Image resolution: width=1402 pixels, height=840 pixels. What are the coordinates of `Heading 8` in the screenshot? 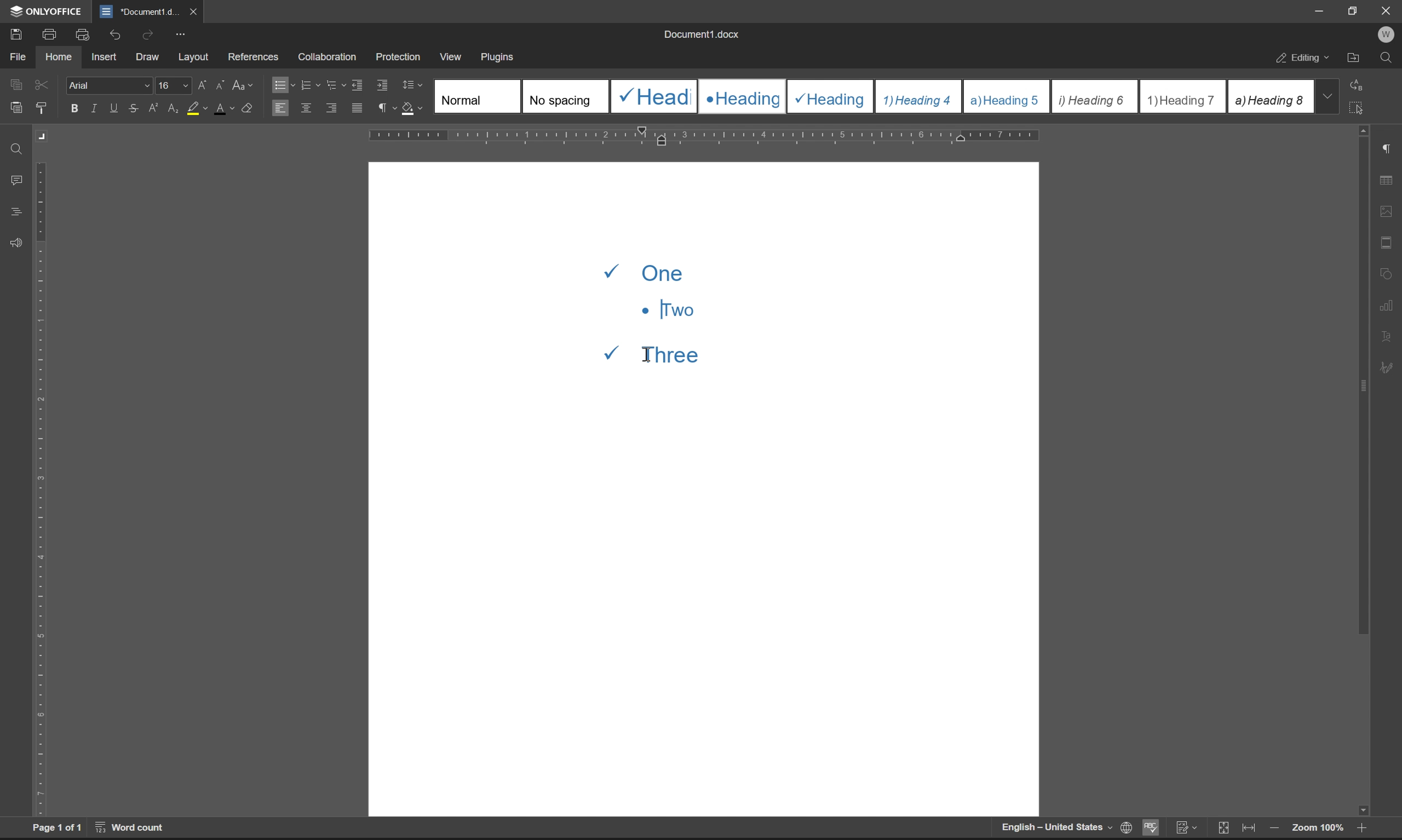 It's located at (1270, 96).